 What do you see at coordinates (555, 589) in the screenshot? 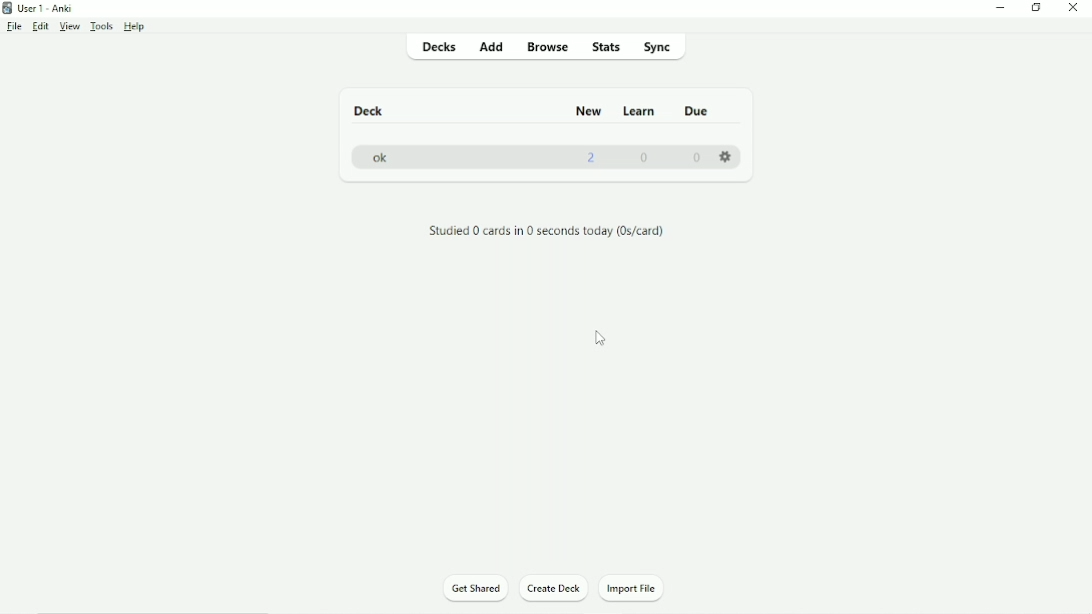
I see `Create Deck` at bounding box center [555, 589].